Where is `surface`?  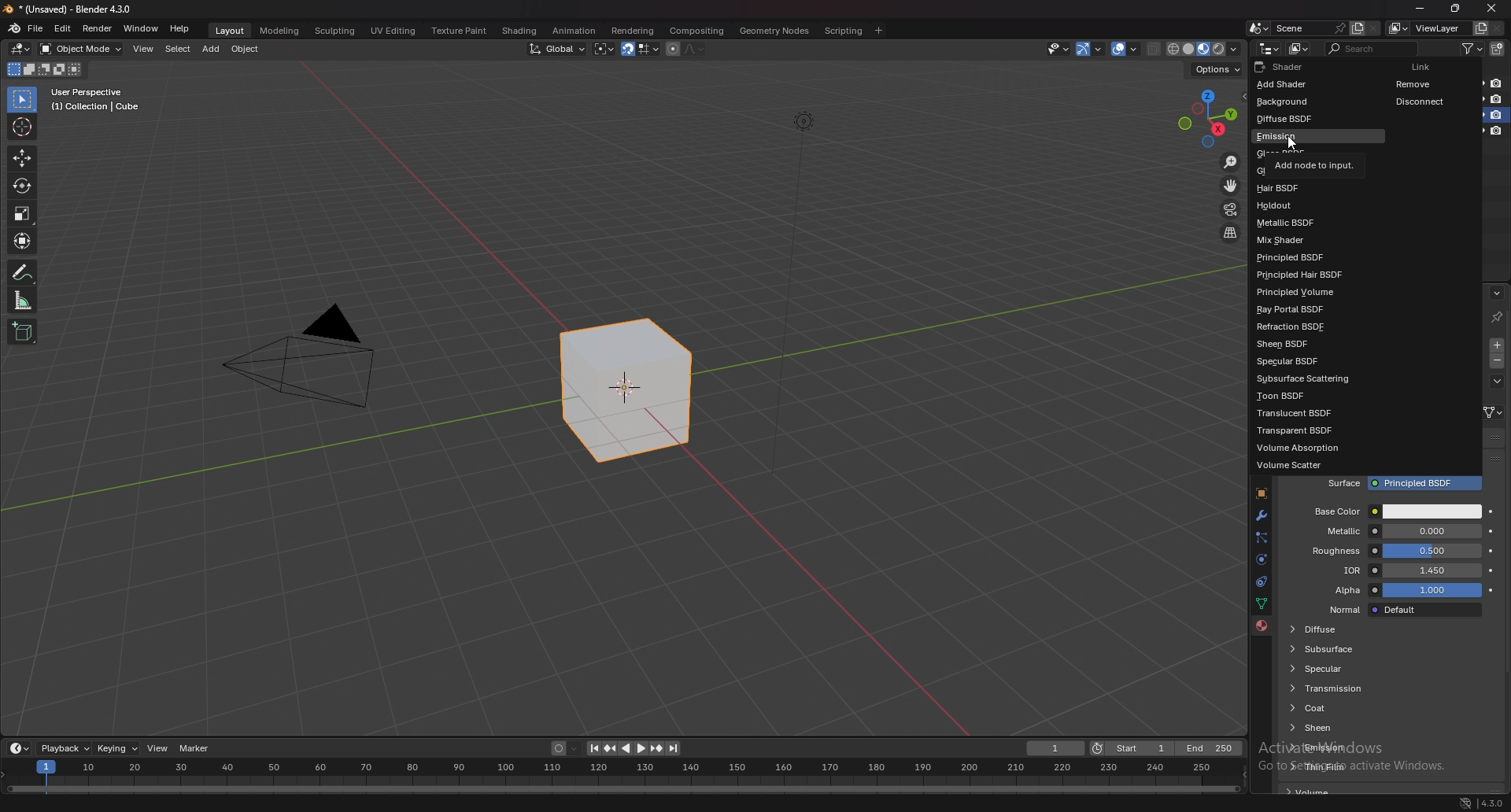
surface is located at coordinates (1406, 484).